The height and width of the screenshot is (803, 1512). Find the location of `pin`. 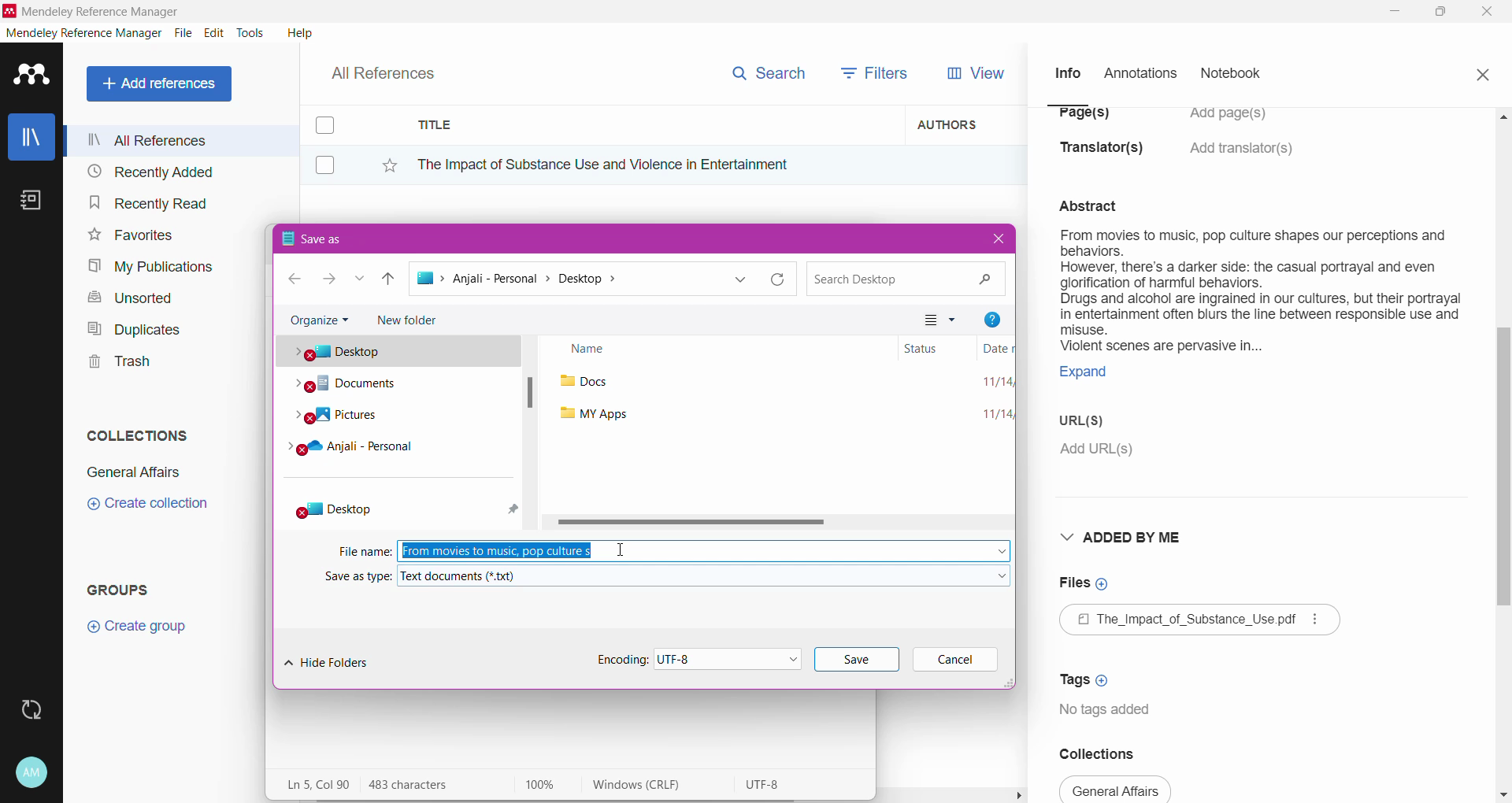

pin is located at coordinates (510, 508).